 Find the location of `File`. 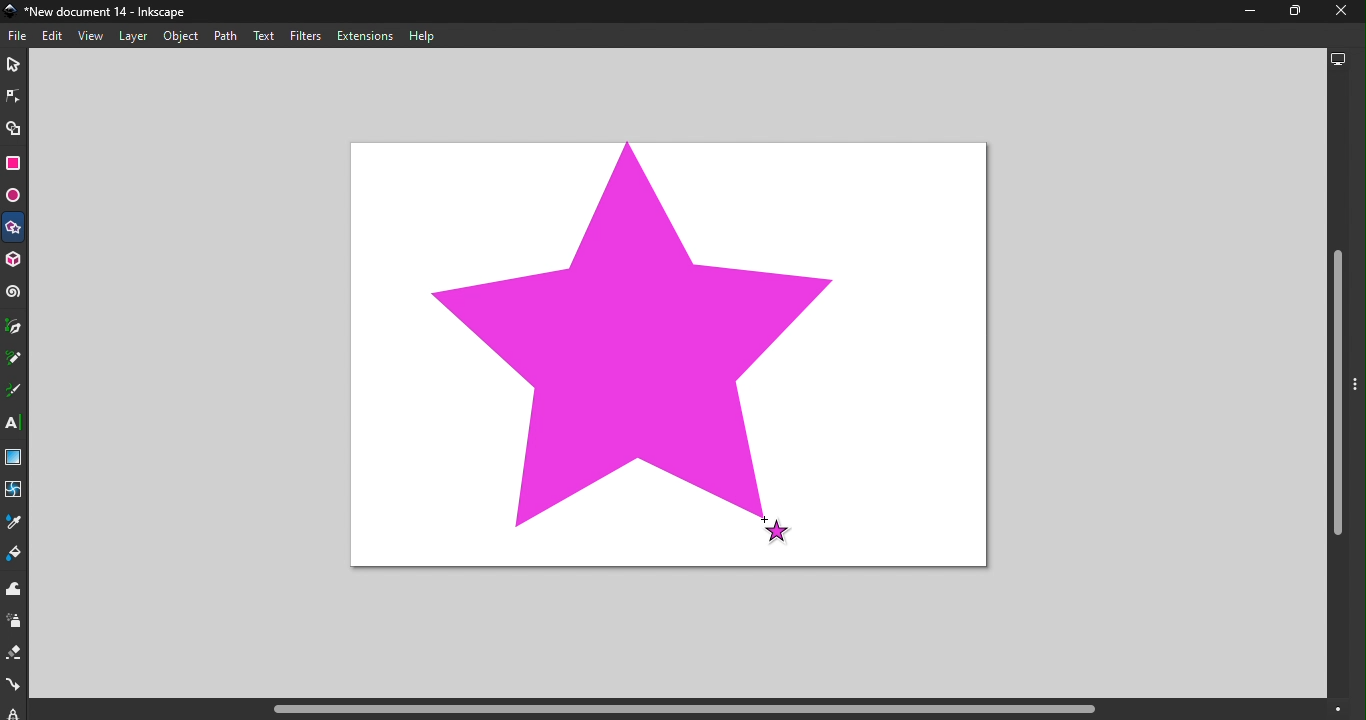

File is located at coordinates (20, 36).